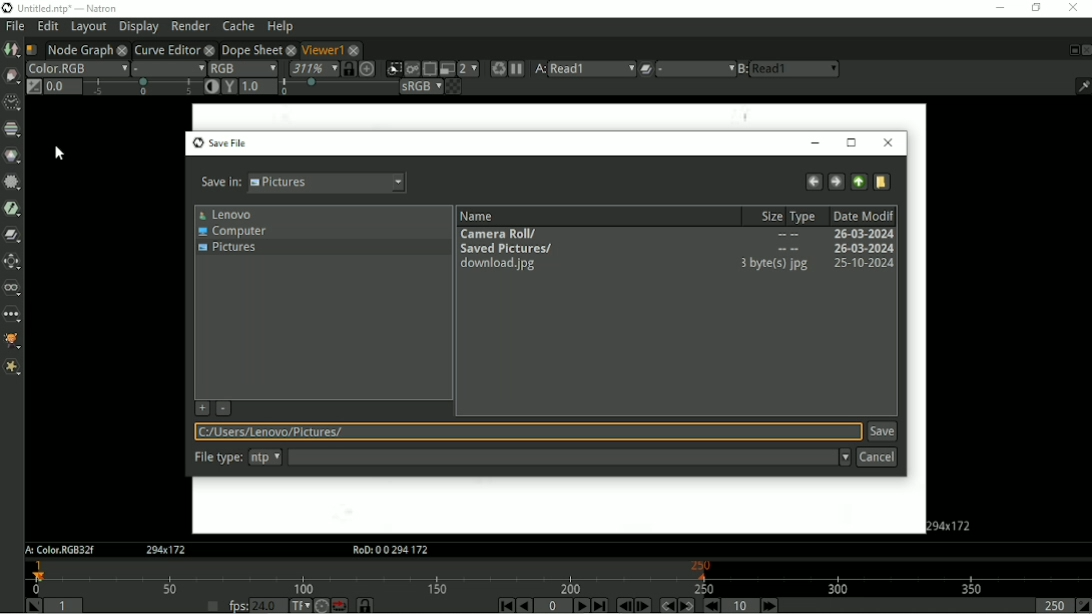 The height and width of the screenshot is (614, 1092). I want to click on Set playback out point, so click(1083, 605).